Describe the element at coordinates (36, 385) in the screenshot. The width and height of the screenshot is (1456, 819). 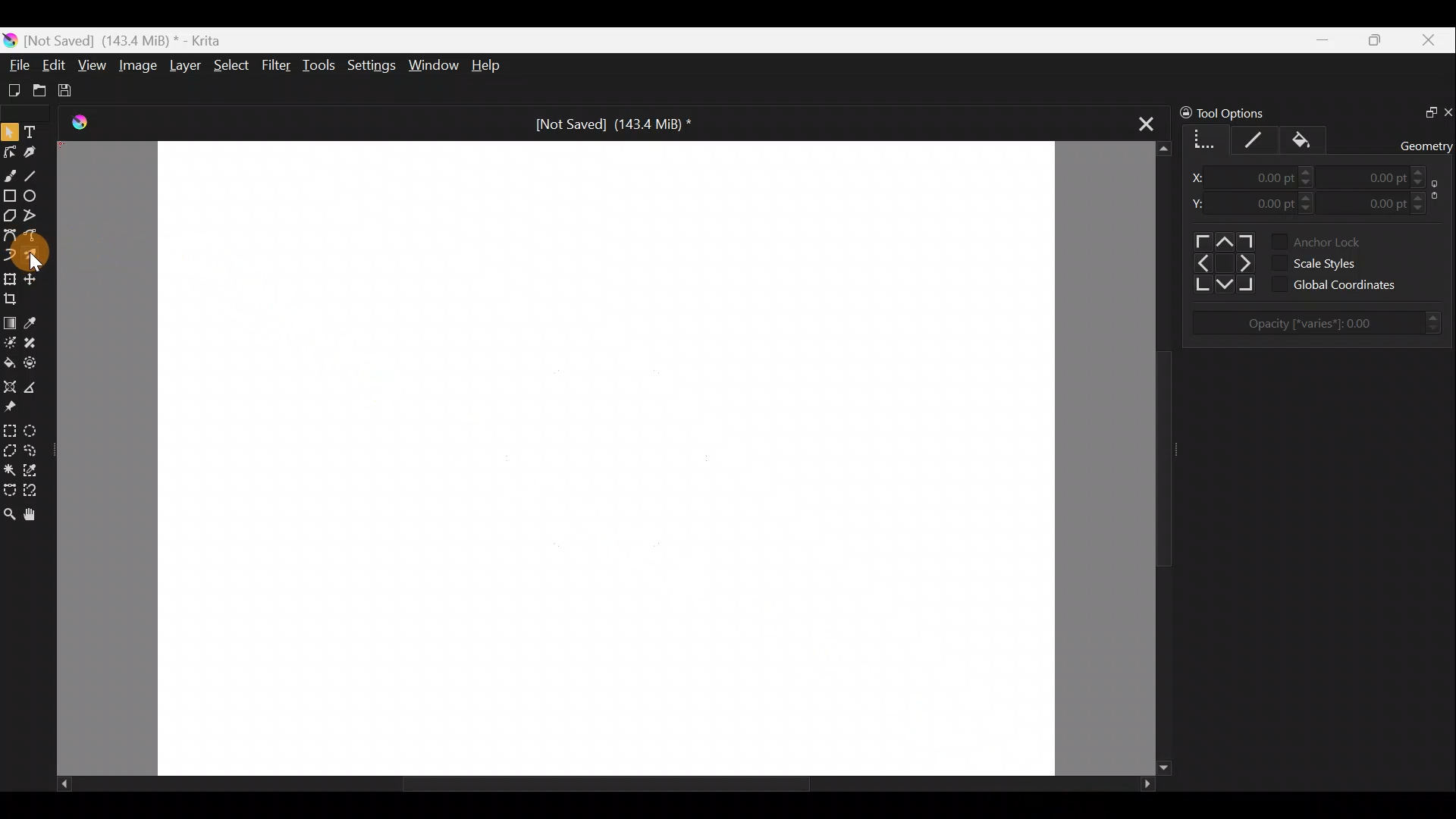
I see `Measure the distance between two points` at that location.